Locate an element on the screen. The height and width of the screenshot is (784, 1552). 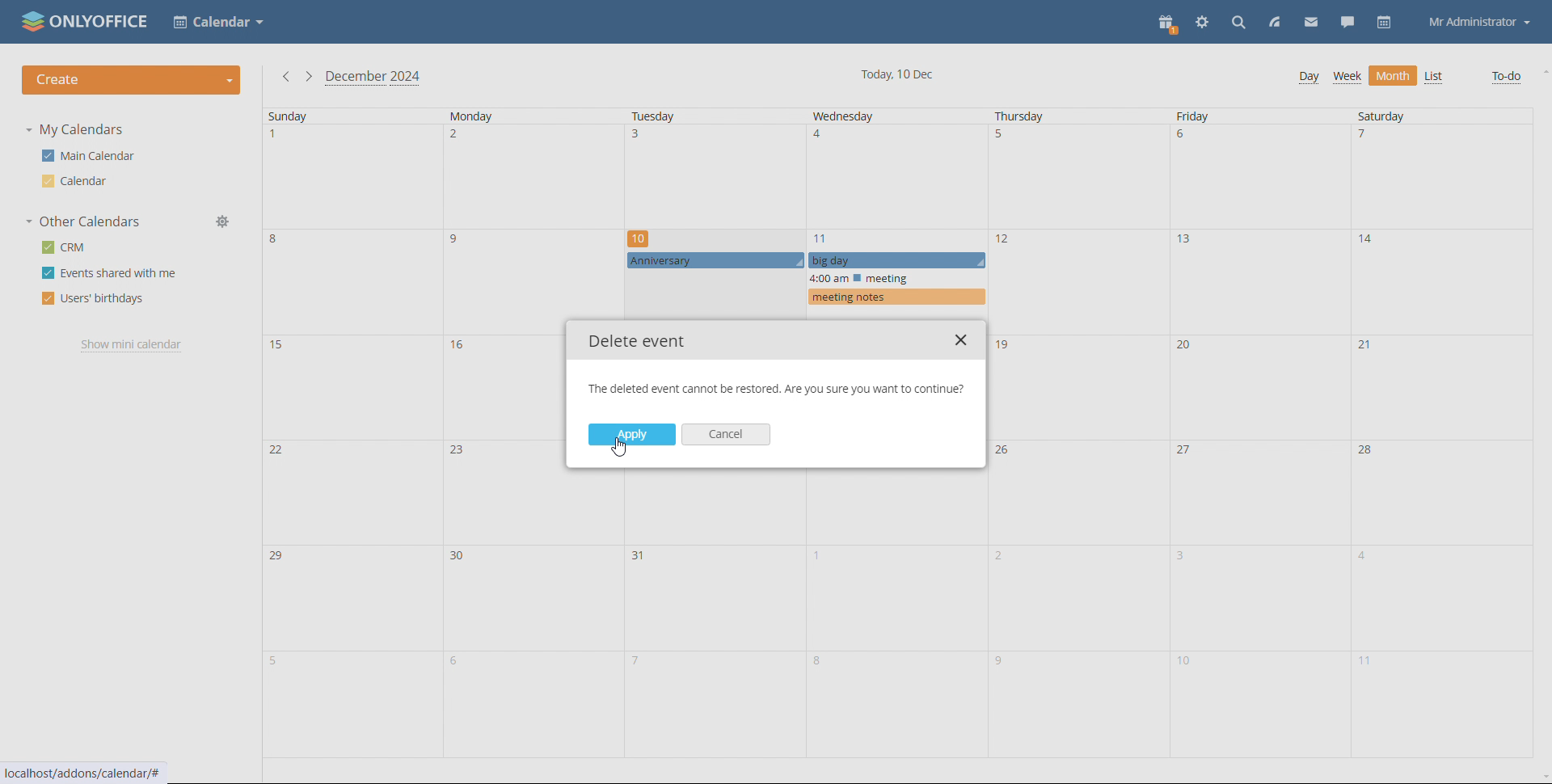
thursday is located at coordinates (1080, 433).